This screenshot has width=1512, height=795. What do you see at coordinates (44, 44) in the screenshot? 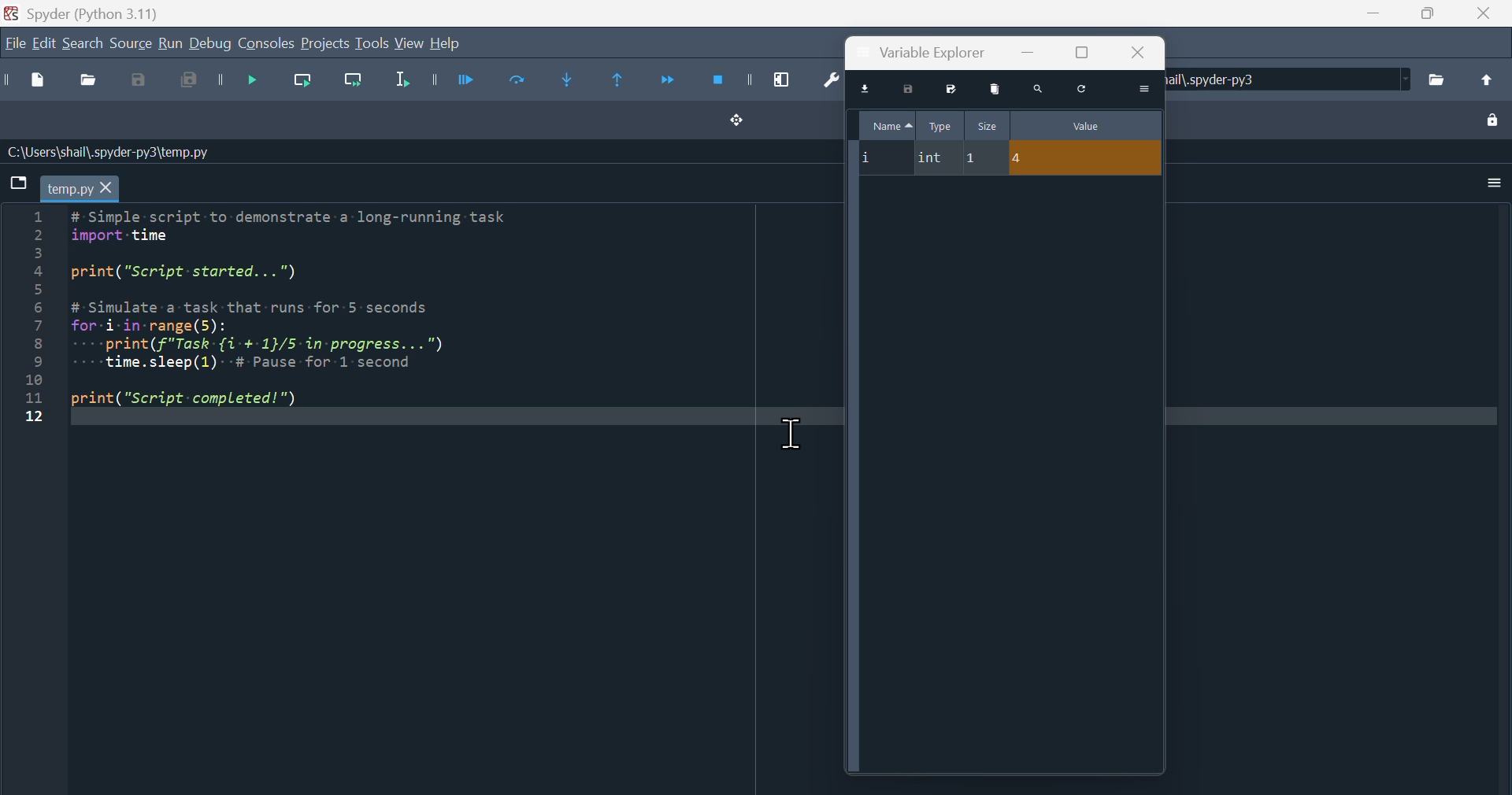
I see `edit` at bounding box center [44, 44].